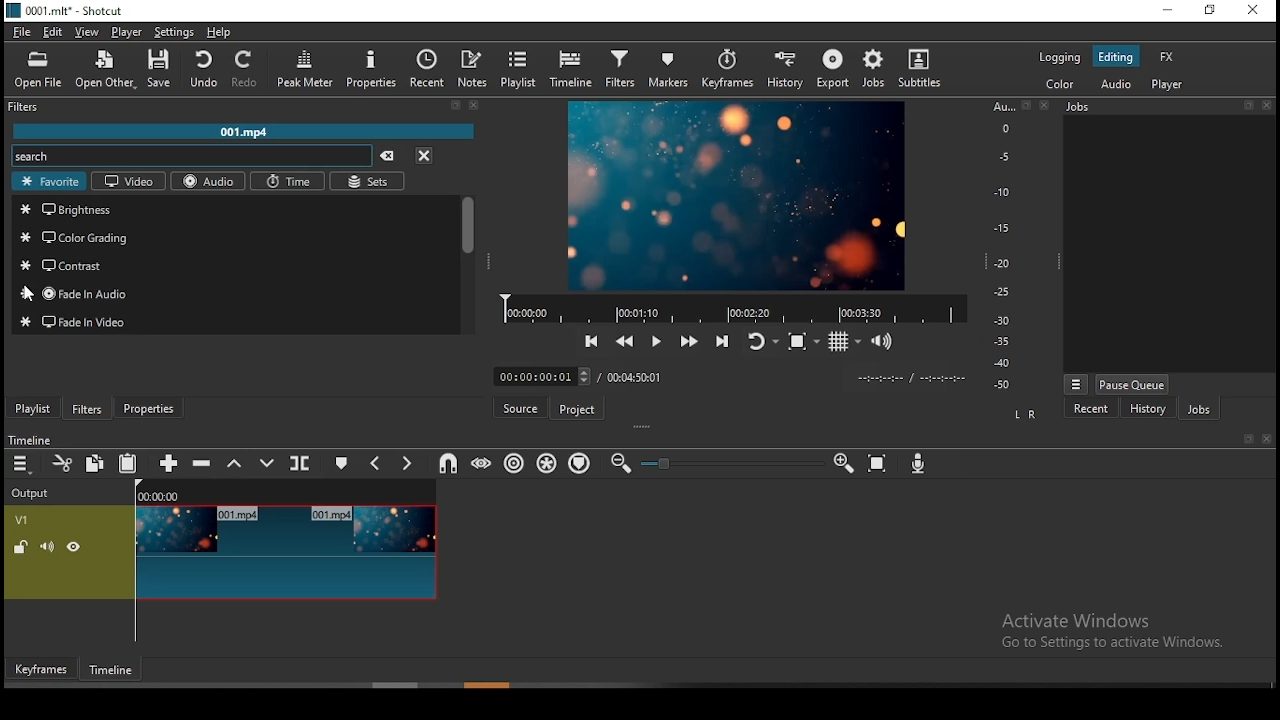 The width and height of the screenshot is (1280, 720). I want to click on edit, so click(55, 32).